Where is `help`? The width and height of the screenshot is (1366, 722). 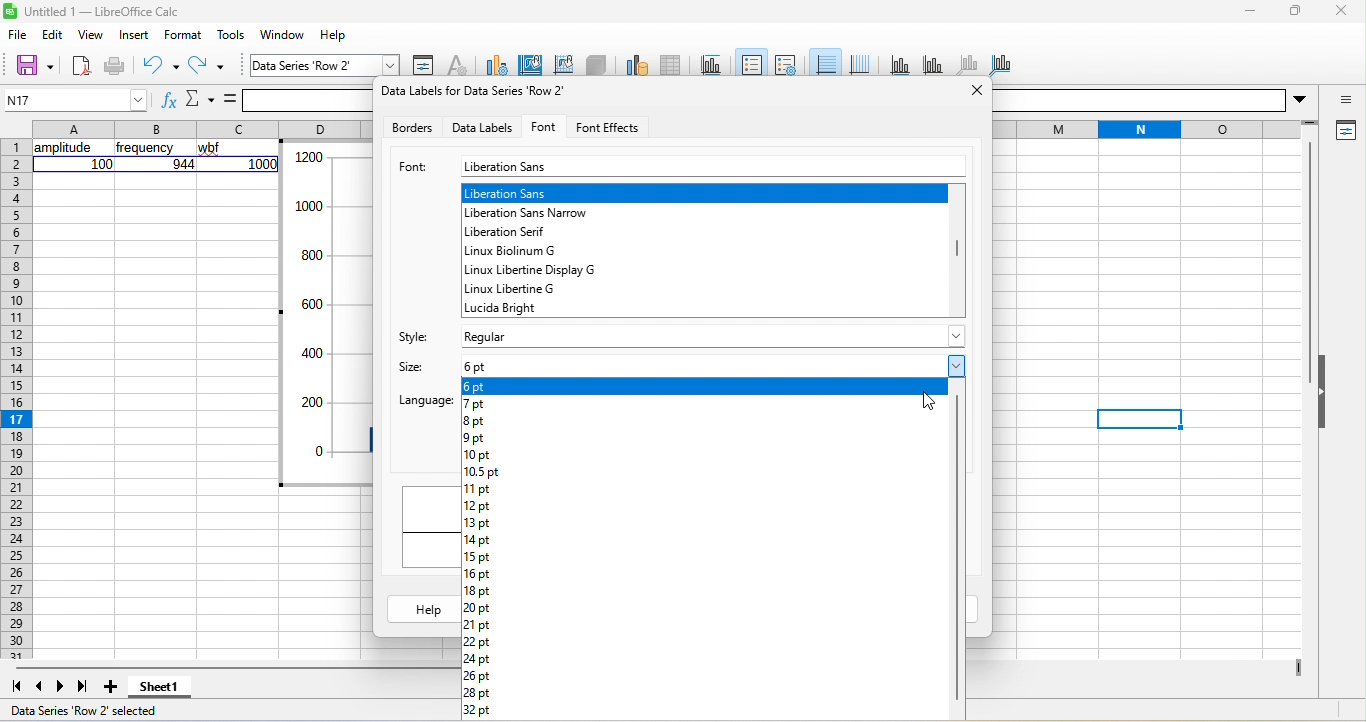
help is located at coordinates (417, 609).